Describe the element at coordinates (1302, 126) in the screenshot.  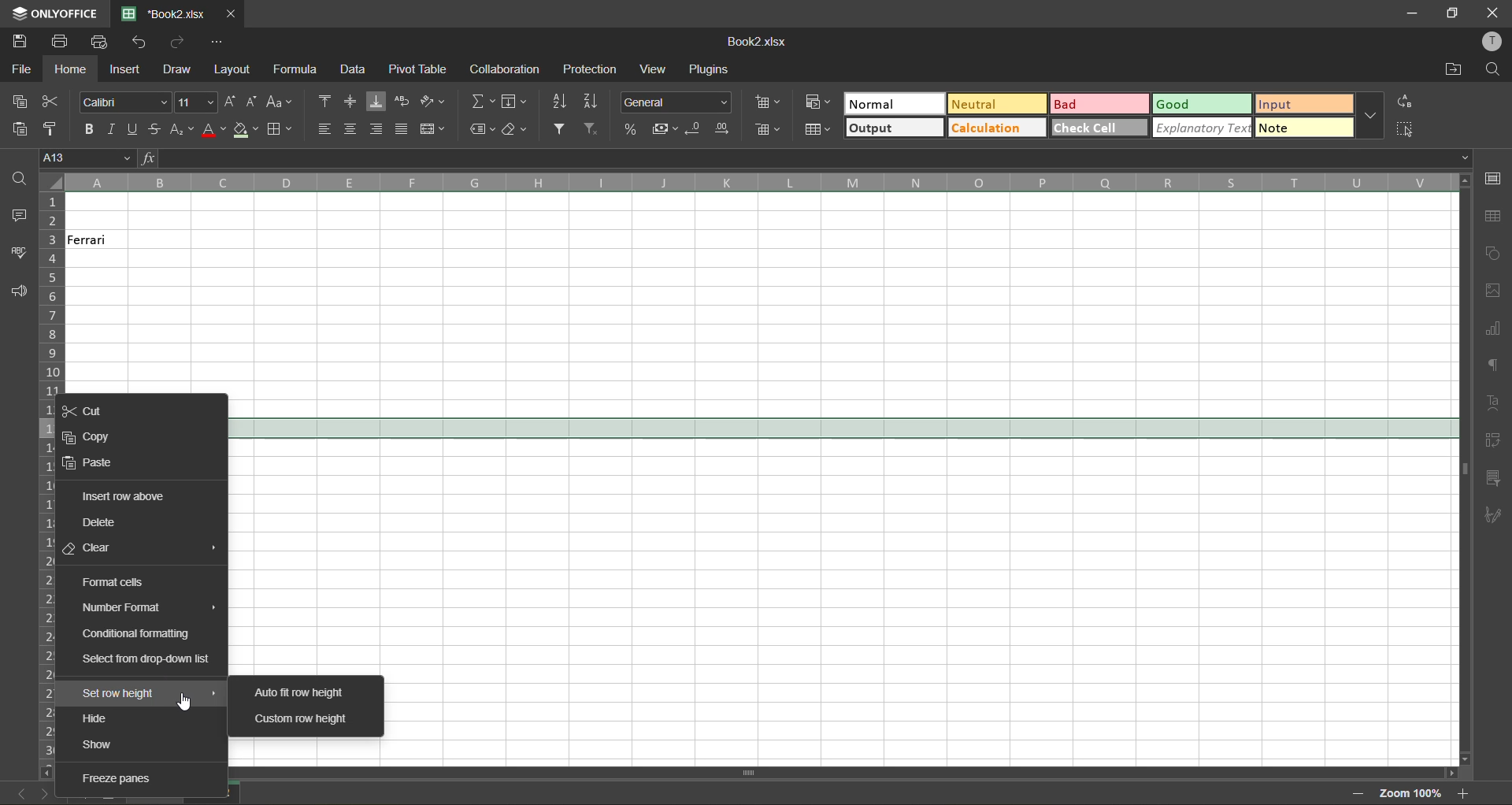
I see `note` at that location.